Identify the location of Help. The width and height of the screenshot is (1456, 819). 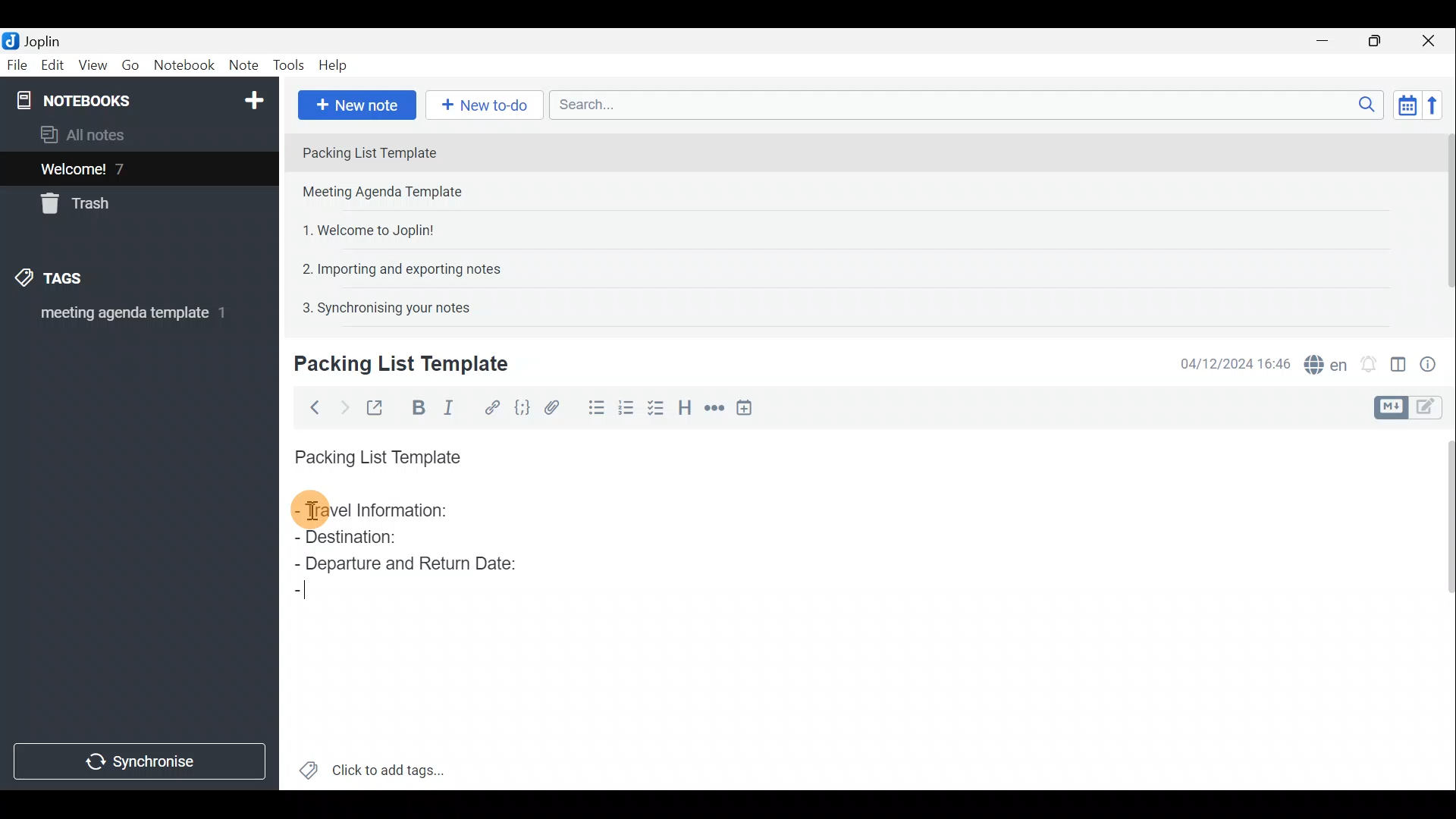
(335, 67).